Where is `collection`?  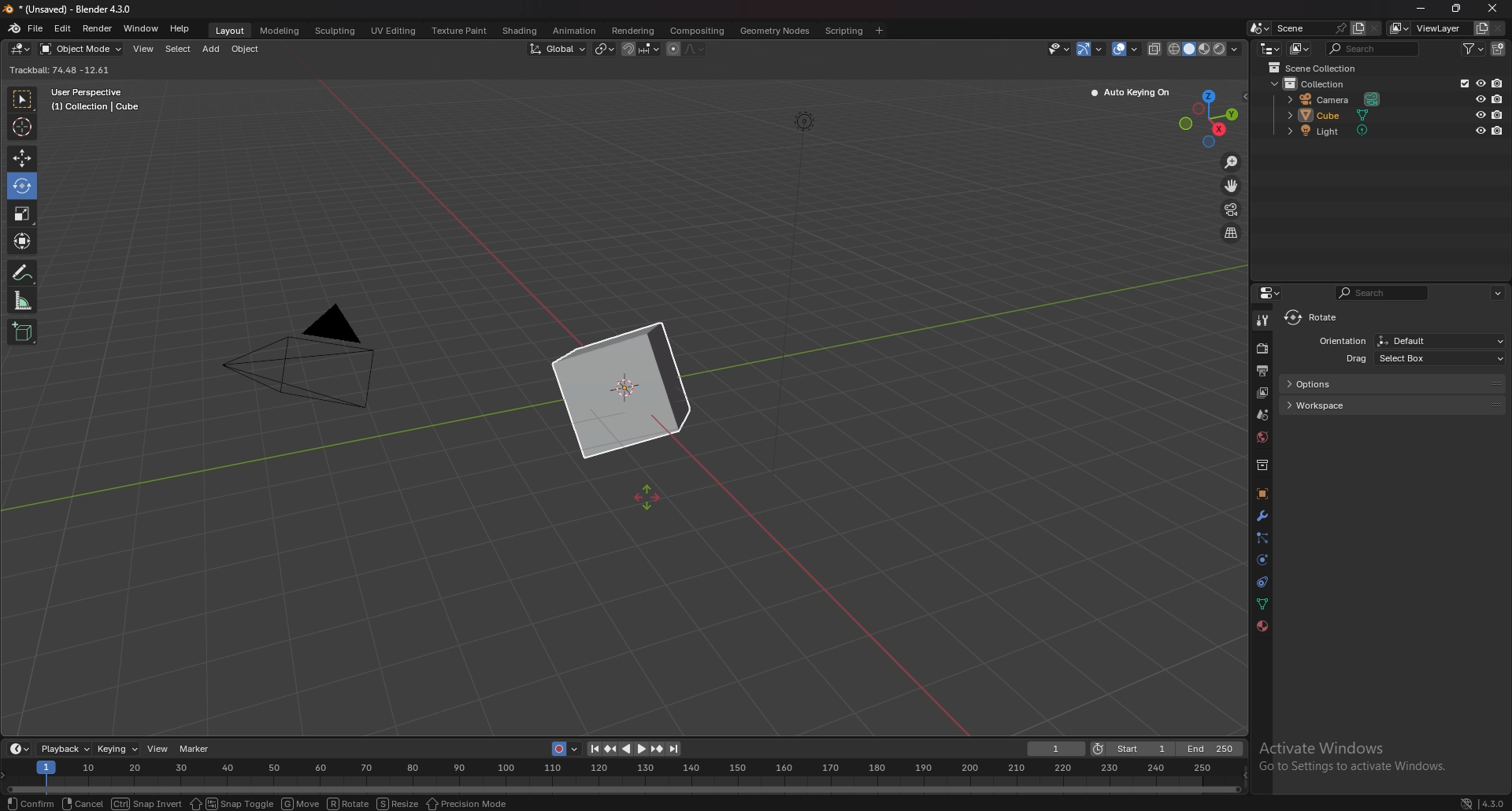 collection is located at coordinates (1316, 83).